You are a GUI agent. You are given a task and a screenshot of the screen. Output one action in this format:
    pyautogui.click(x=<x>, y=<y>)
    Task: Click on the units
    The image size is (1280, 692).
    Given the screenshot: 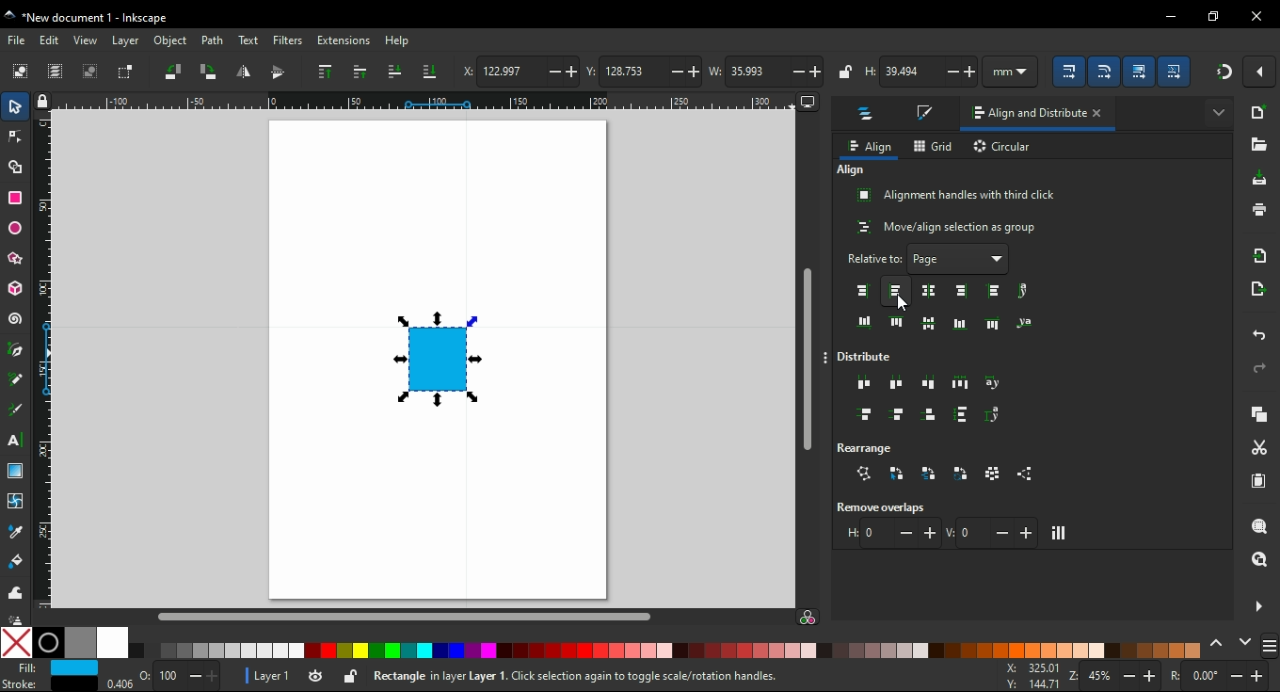 What is the action you would take?
    pyautogui.click(x=1010, y=71)
    